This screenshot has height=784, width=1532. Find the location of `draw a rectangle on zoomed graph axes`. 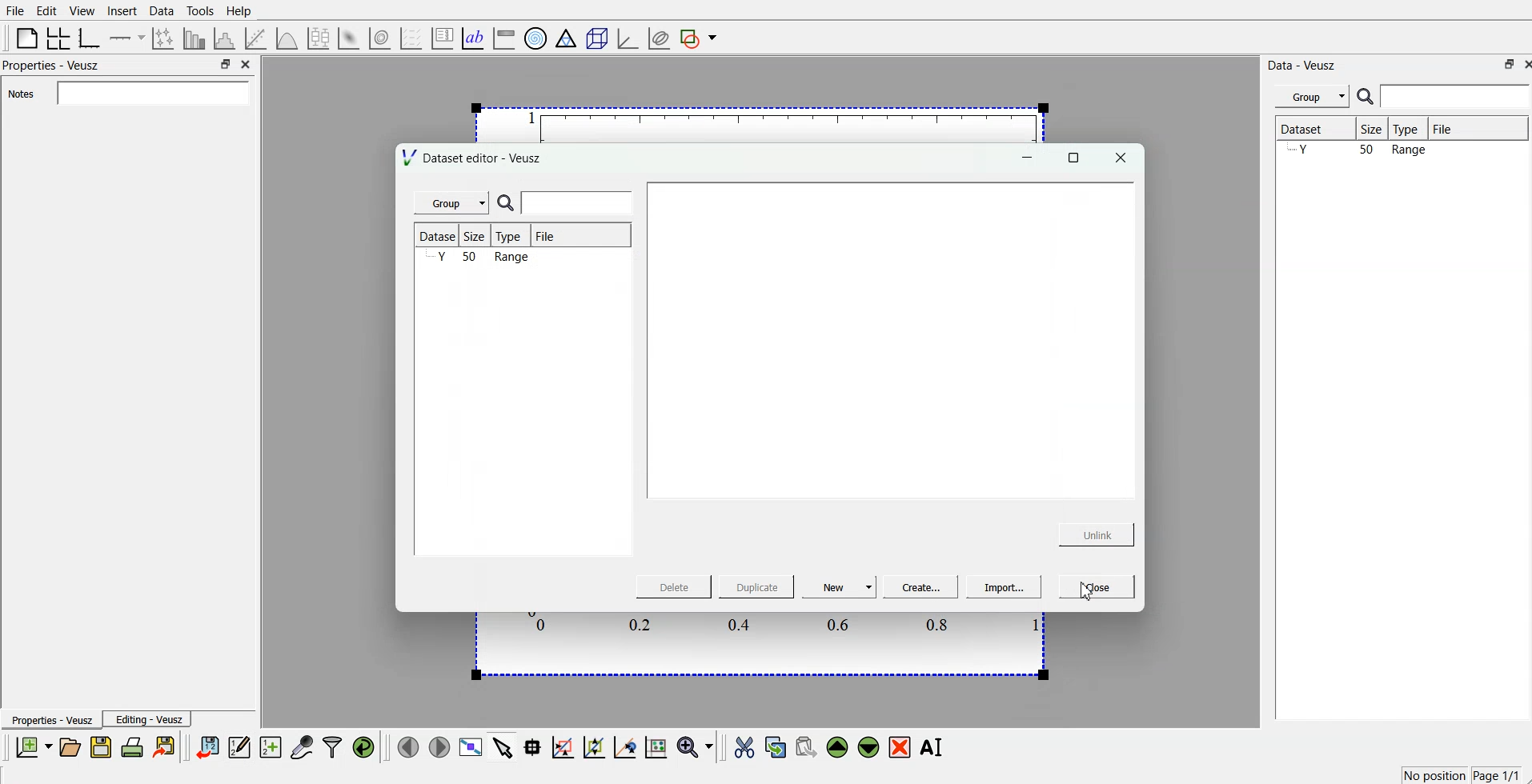

draw a rectangle on zoomed graph axes is located at coordinates (563, 749).